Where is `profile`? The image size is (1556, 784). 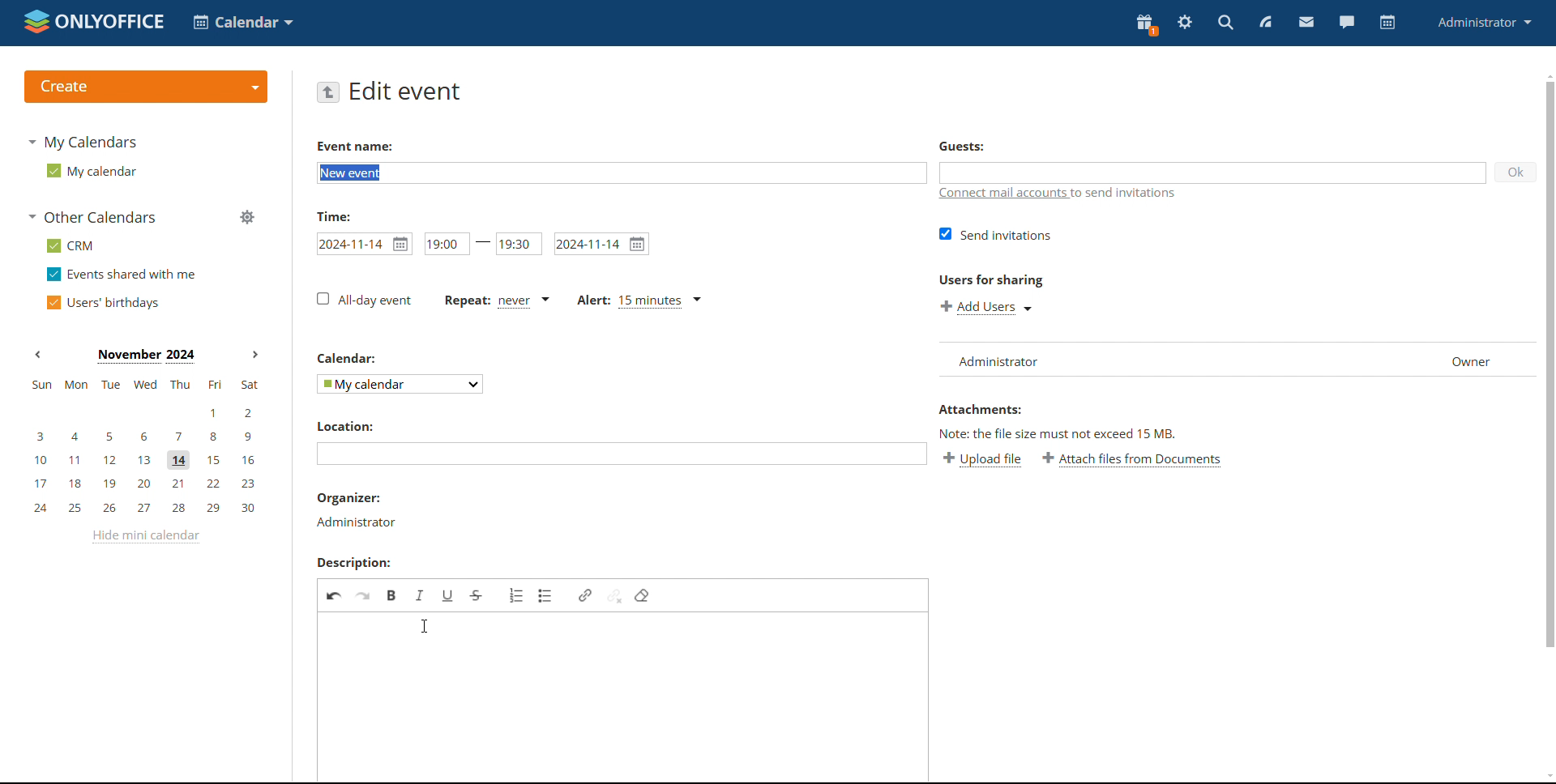 profile is located at coordinates (1485, 22).